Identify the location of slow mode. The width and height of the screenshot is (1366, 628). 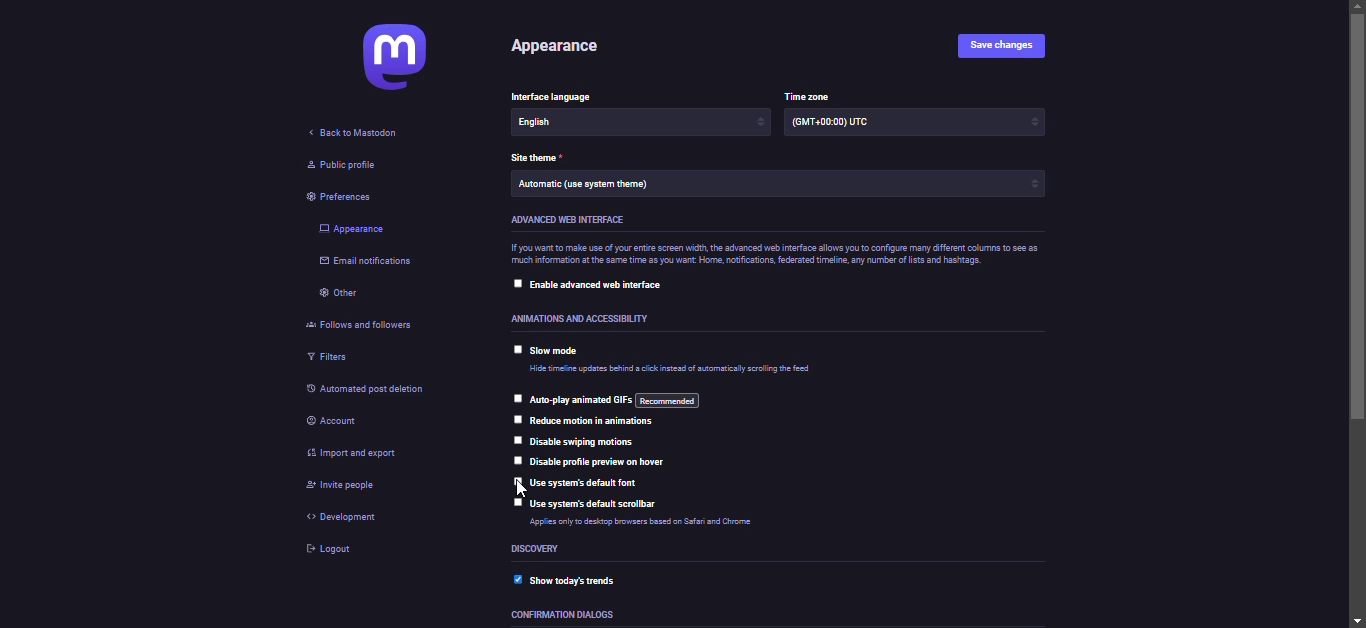
(560, 351).